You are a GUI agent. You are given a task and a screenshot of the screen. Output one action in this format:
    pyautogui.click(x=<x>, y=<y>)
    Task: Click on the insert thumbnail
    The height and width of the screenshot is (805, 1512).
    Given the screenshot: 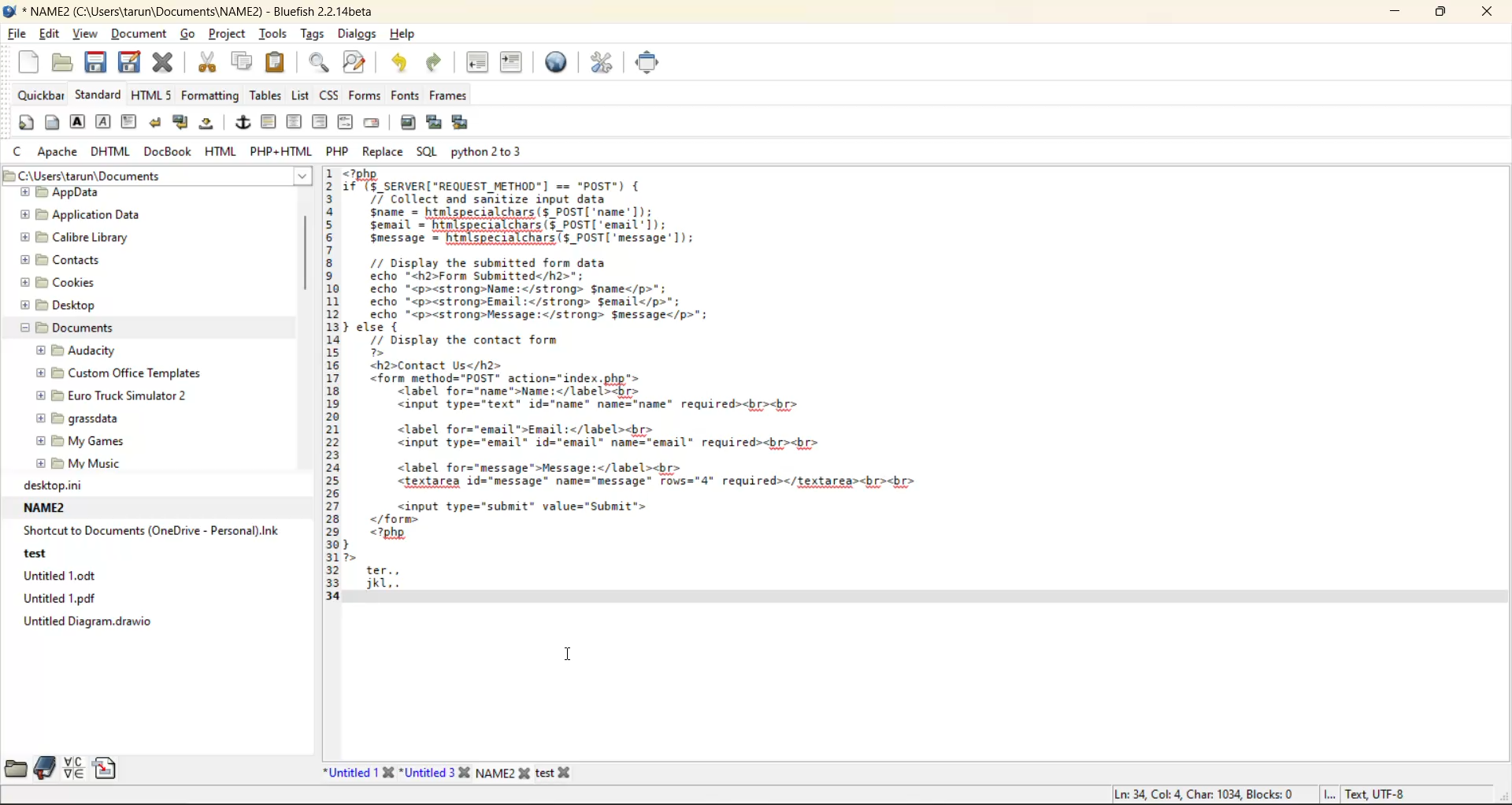 What is the action you would take?
    pyautogui.click(x=432, y=120)
    